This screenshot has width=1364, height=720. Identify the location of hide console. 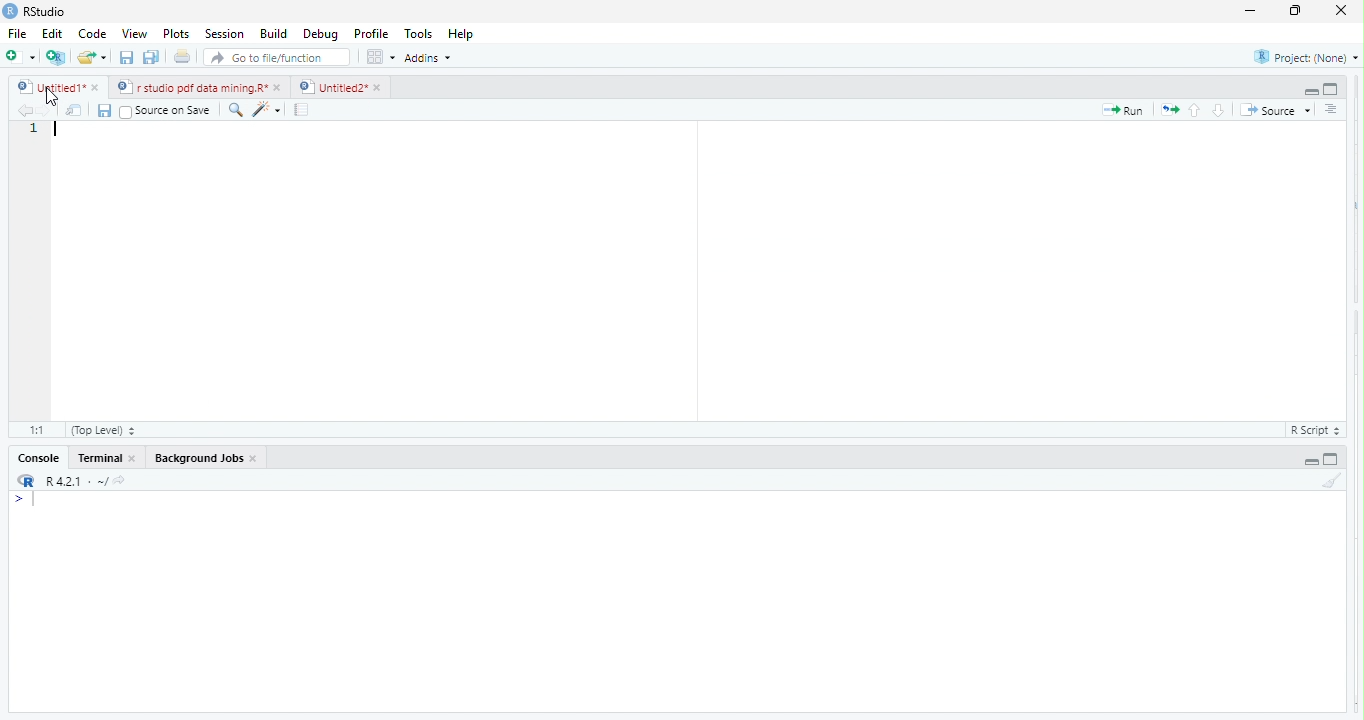
(1329, 459).